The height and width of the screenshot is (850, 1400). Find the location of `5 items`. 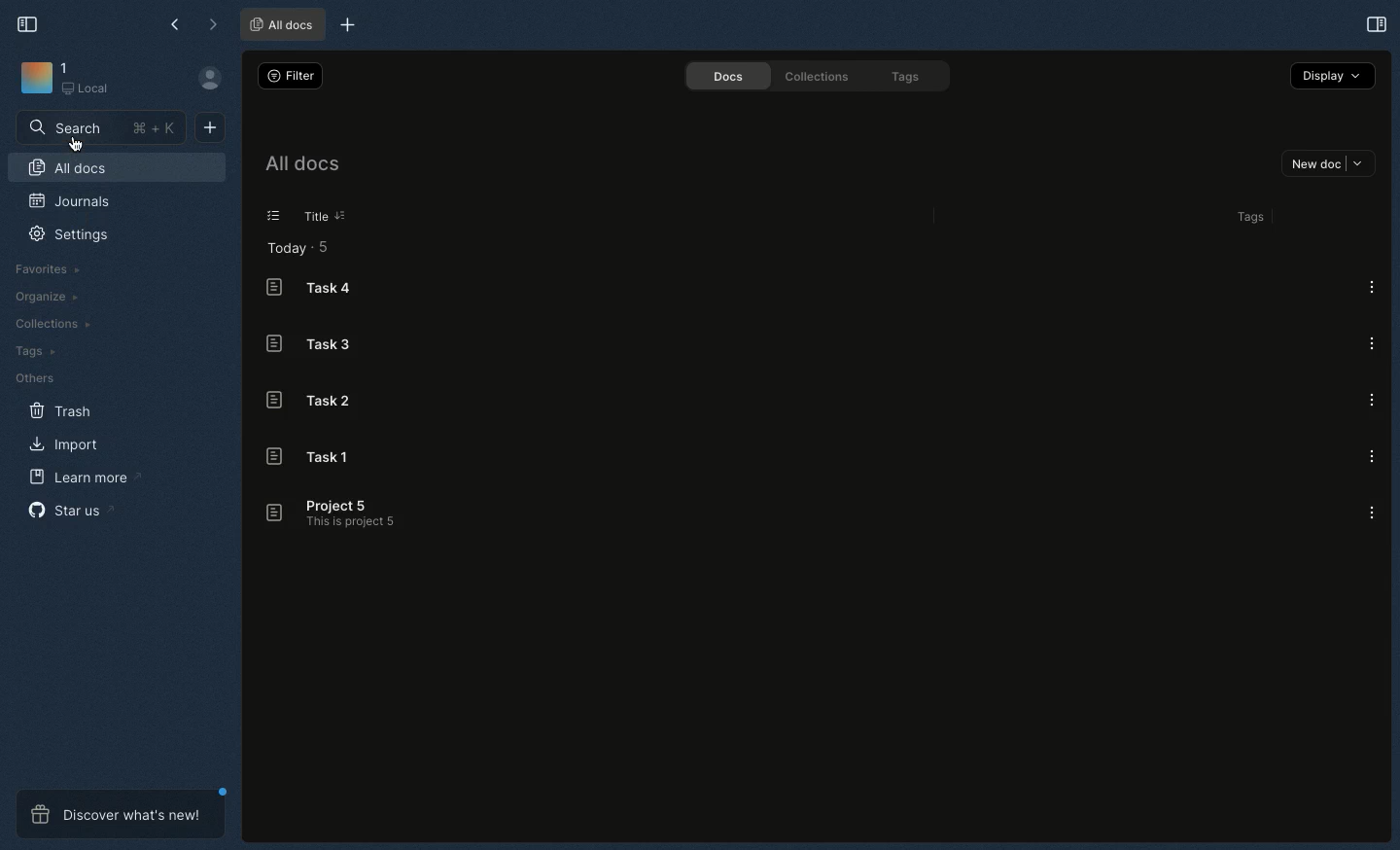

5 items is located at coordinates (323, 245).